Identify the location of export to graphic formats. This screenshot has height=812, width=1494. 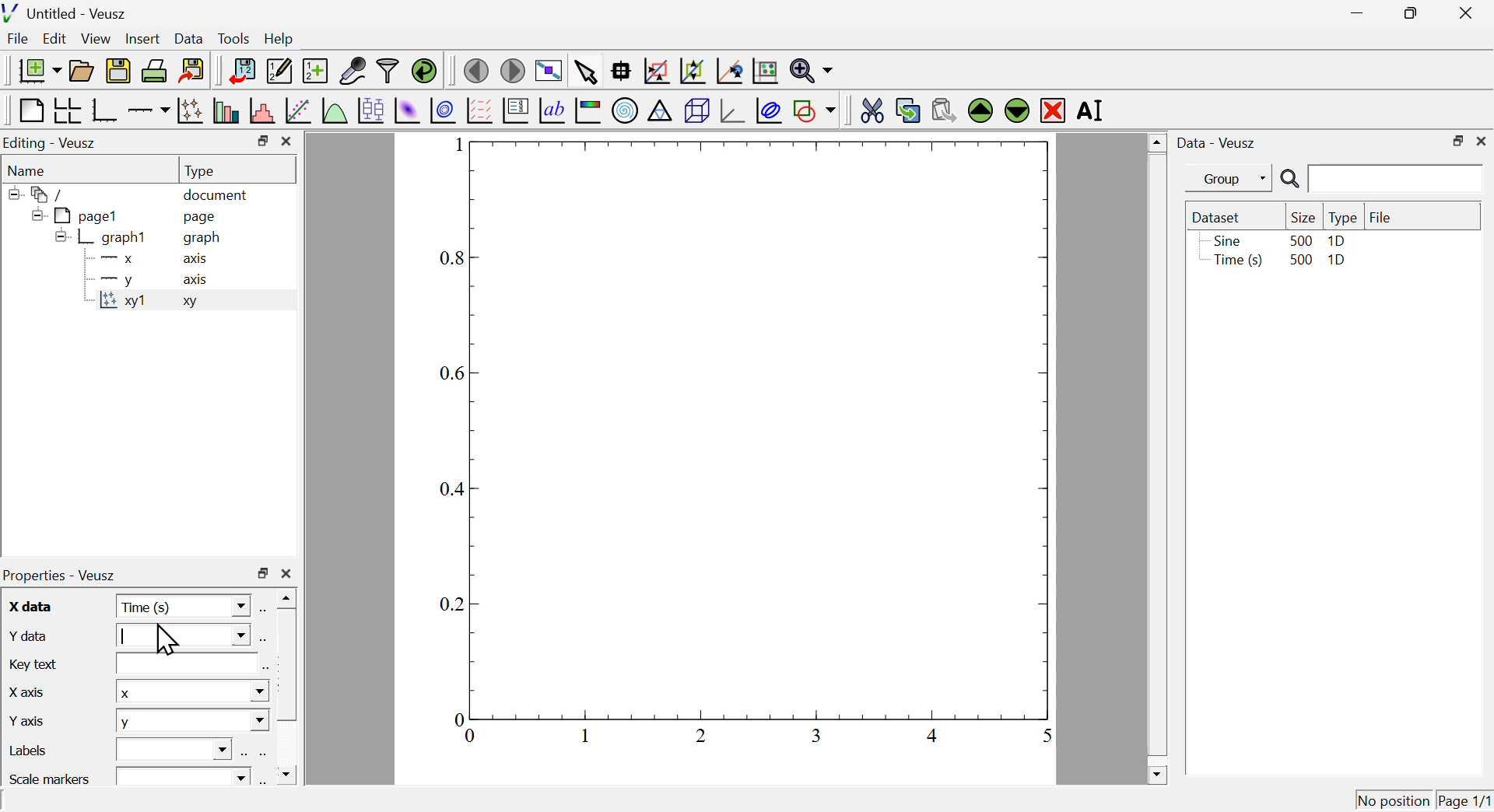
(192, 72).